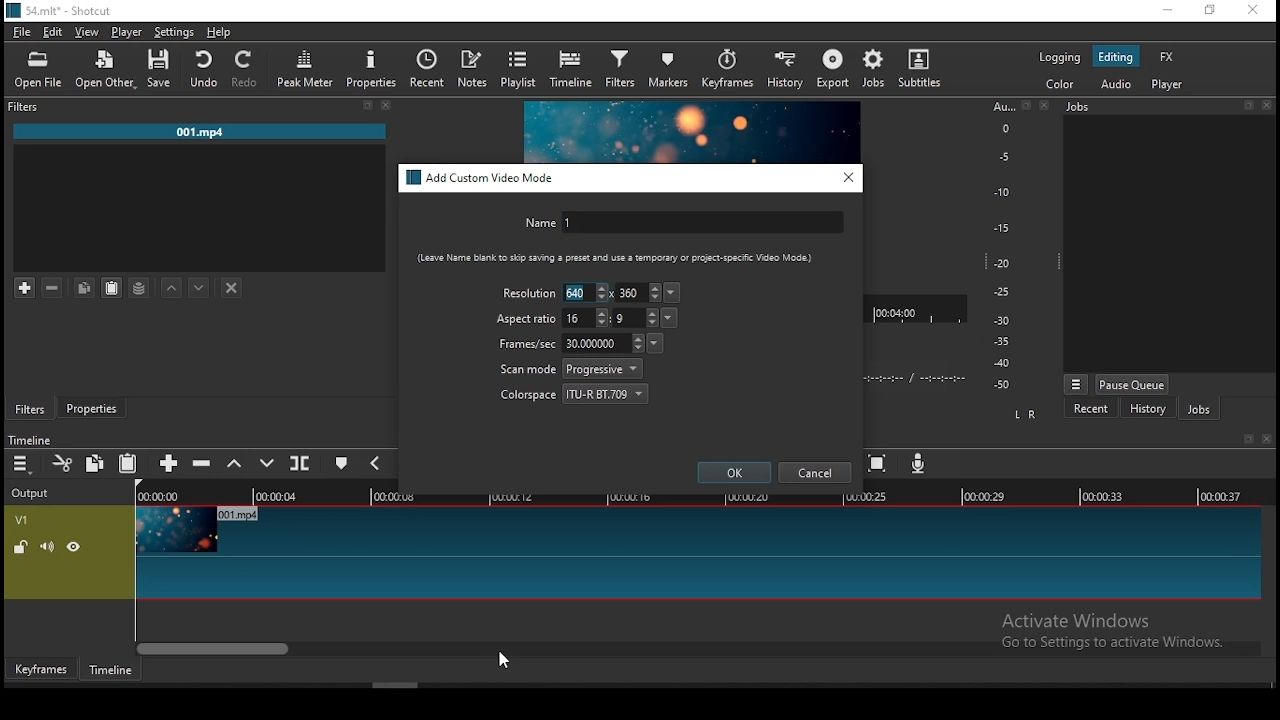 Image resolution: width=1280 pixels, height=720 pixels. I want to click on add custom video mode , so click(482, 178).